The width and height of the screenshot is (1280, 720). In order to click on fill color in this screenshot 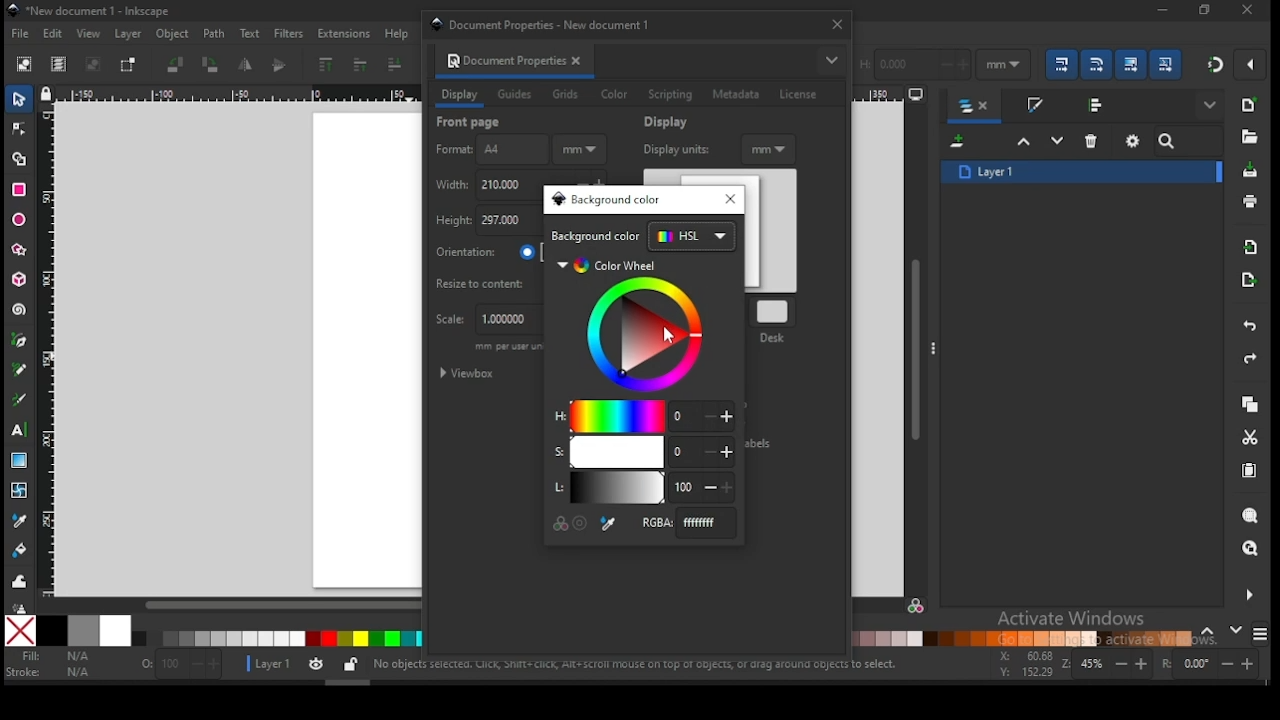, I will do `click(53, 657)`.